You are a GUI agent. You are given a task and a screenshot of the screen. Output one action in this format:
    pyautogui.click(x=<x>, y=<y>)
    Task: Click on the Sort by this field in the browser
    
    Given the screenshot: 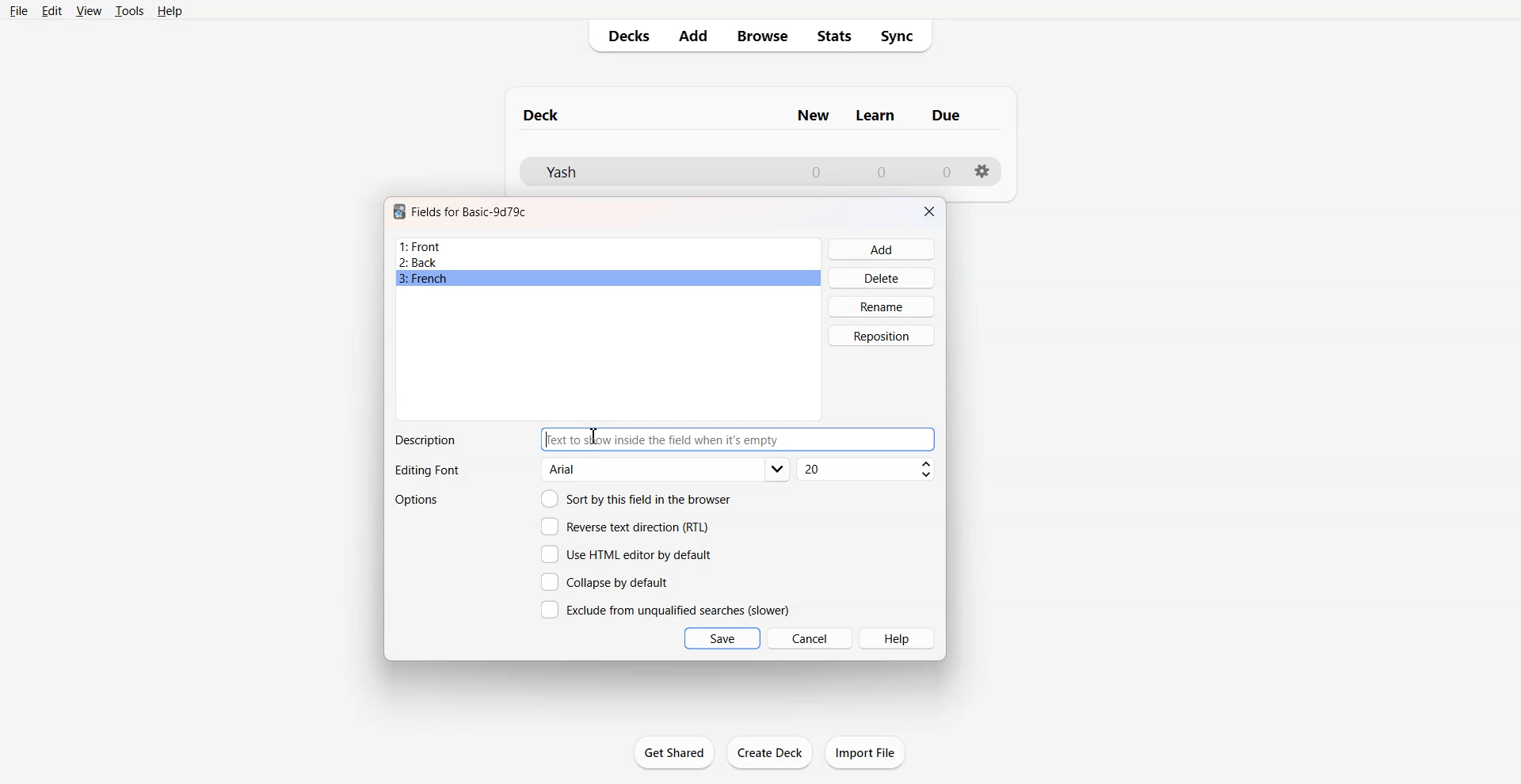 What is the action you would take?
    pyautogui.click(x=636, y=498)
    